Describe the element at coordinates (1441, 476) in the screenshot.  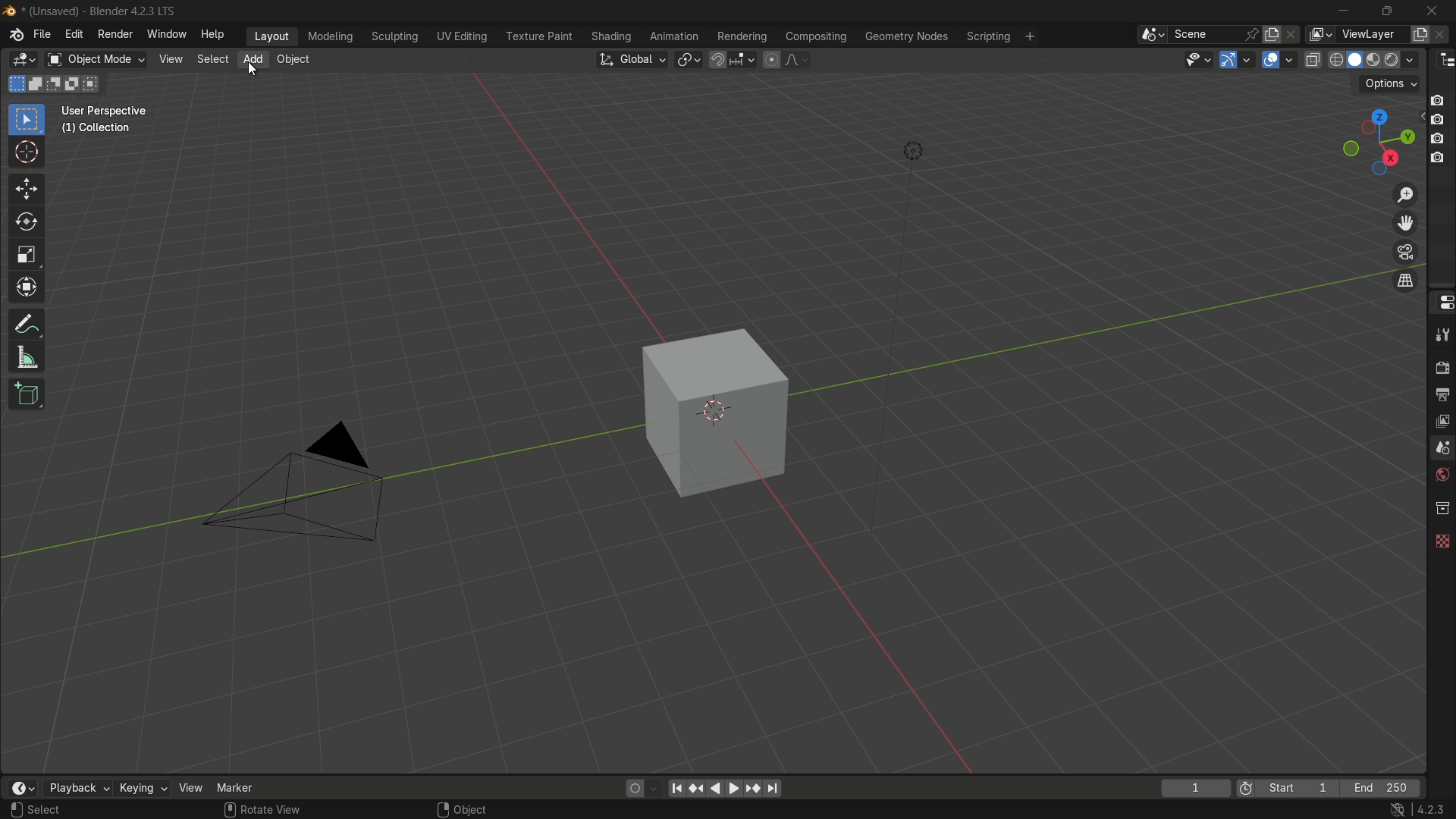
I see `world` at that location.